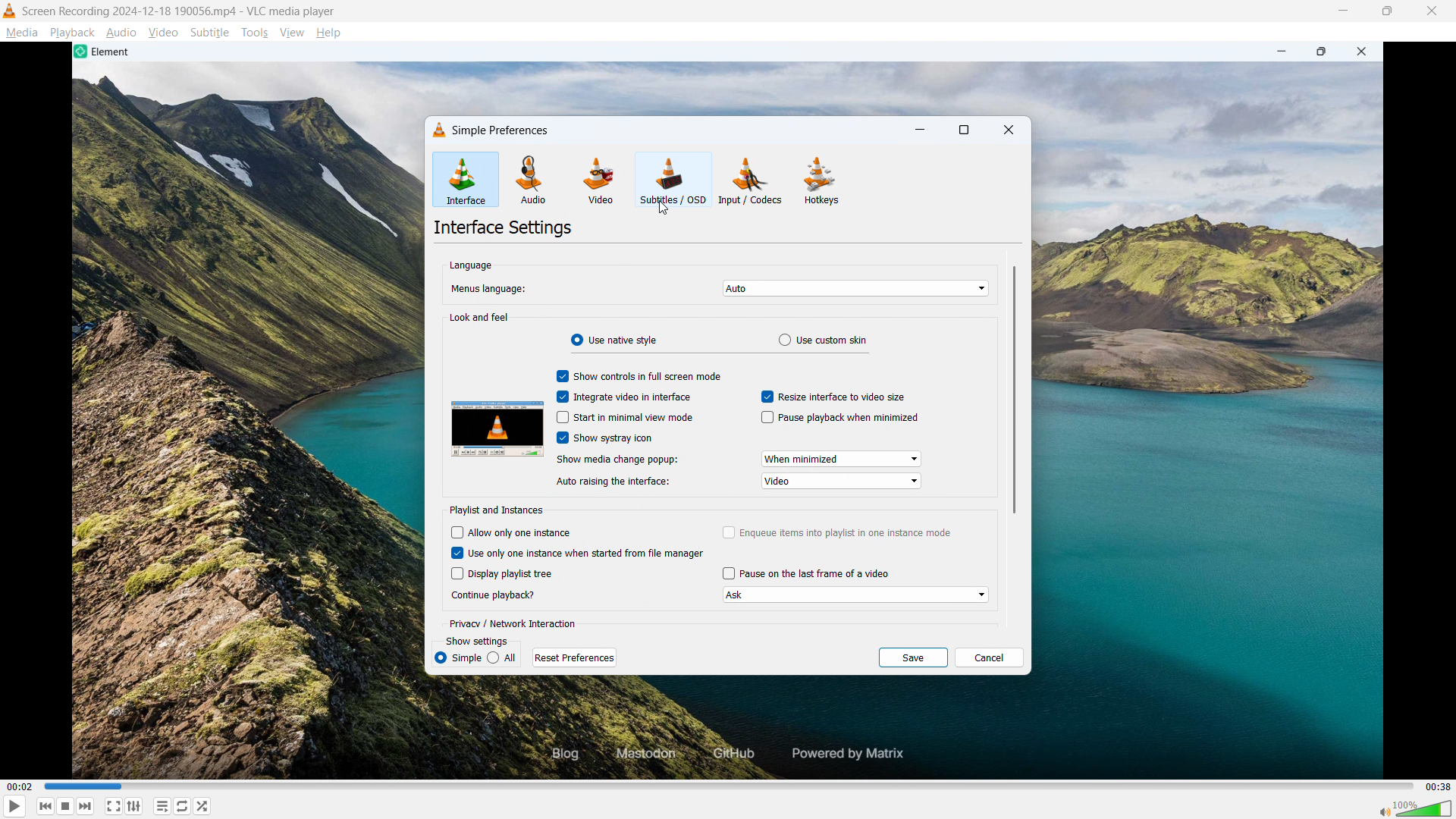 The height and width of the screenshot is (819, 1456). What do you see at coordinates (1322, 52) in the screenshot?
I see `Maximize` at bounding box center [1322, 52].